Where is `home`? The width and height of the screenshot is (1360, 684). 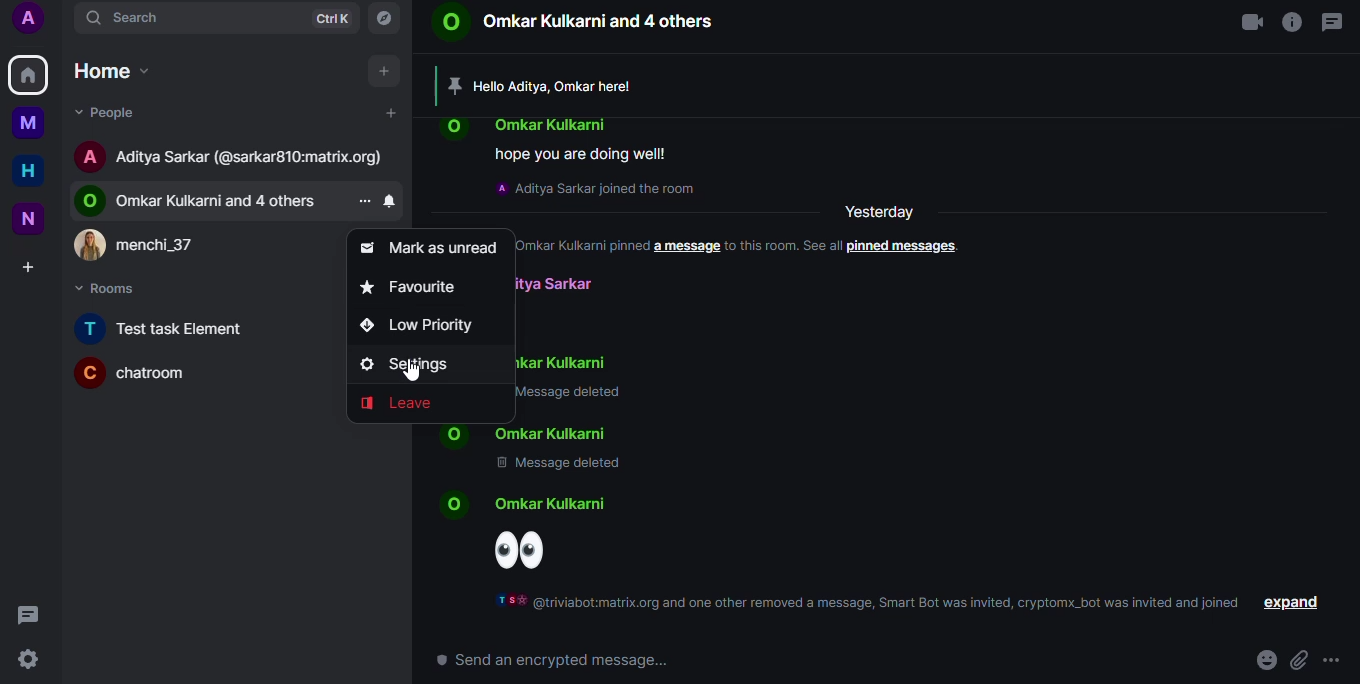 home is located at coordinates (29, 74).